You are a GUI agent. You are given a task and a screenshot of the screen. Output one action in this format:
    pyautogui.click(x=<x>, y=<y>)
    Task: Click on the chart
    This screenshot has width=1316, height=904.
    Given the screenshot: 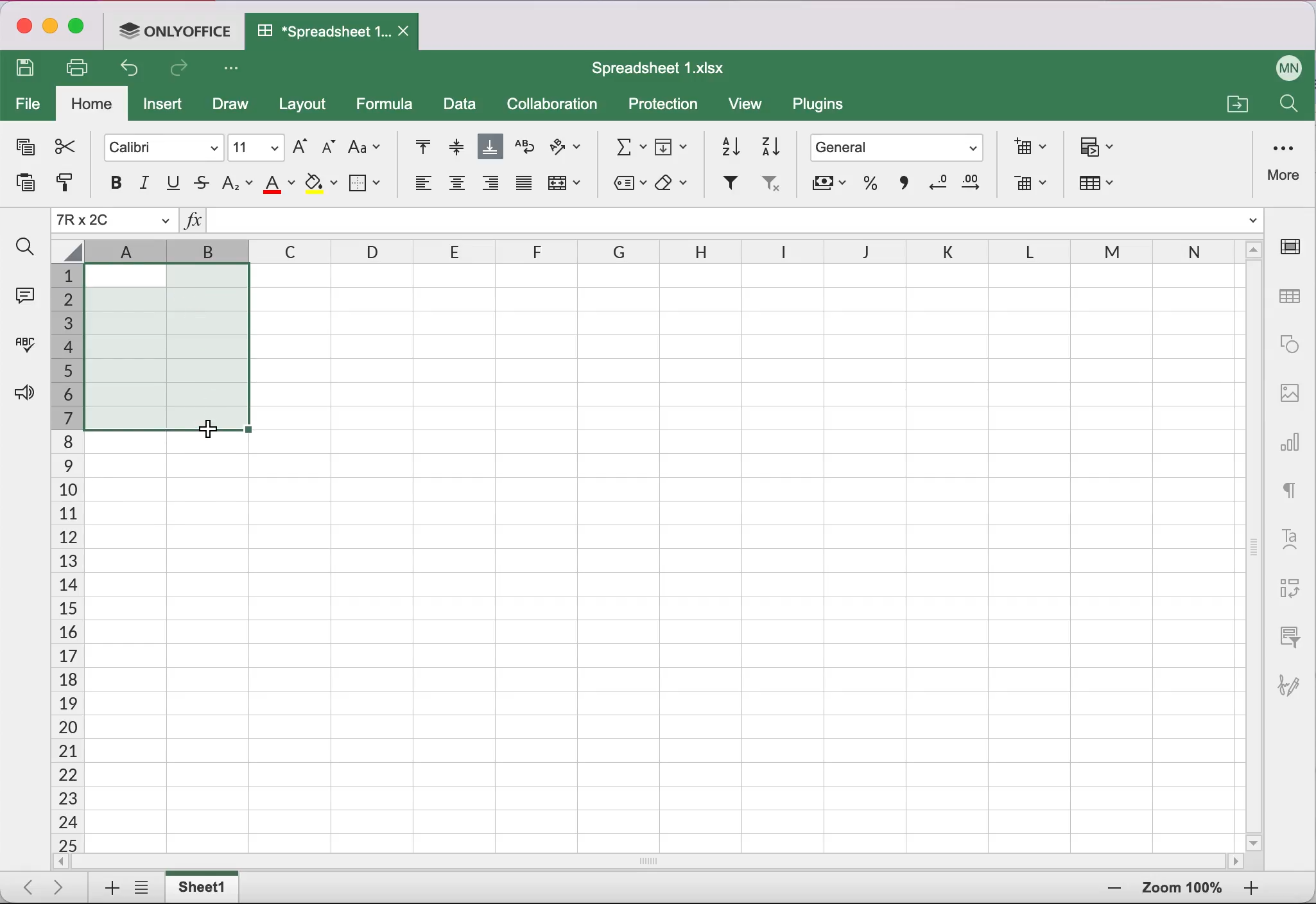 What is the action you would take?
    pyautogui.click(x=1292, y=437)
    